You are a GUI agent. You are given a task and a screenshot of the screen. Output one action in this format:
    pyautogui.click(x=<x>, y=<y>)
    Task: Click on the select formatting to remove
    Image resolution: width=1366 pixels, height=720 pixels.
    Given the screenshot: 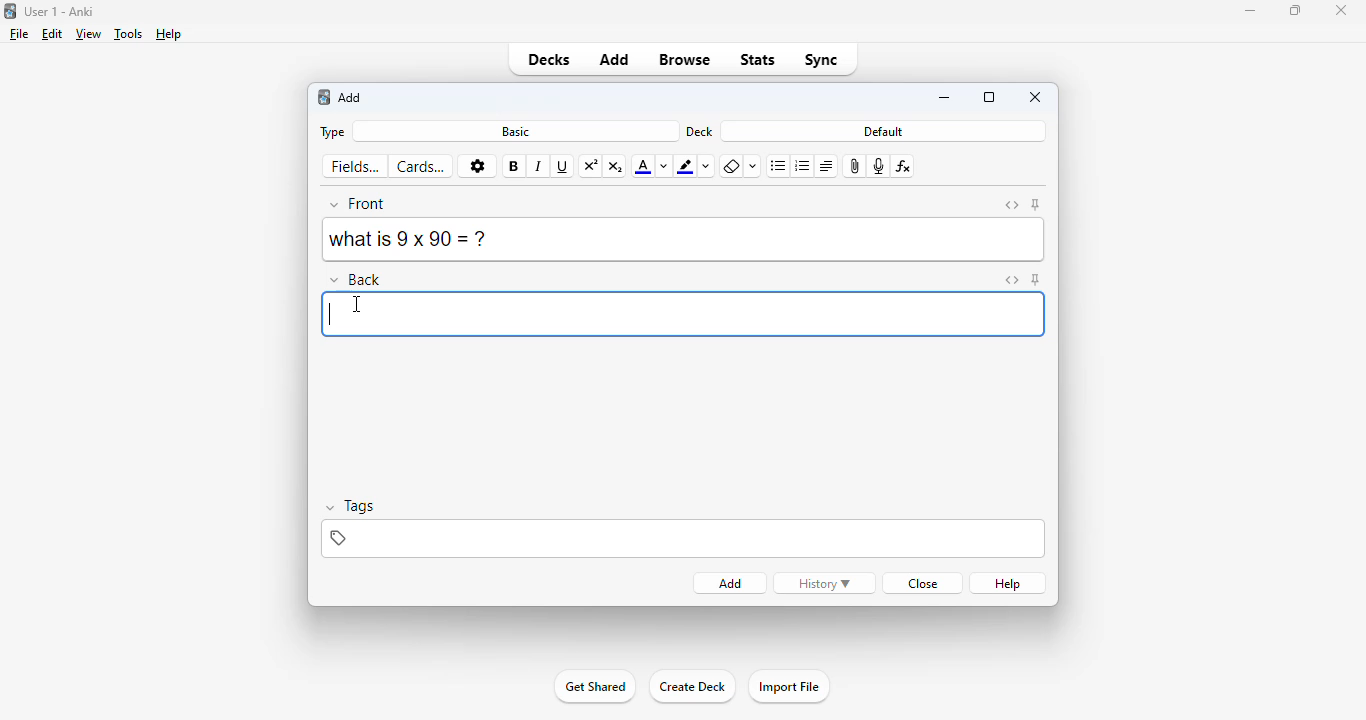 What is the action you would take?
    pyautogui.click(x=753, y=167)
    